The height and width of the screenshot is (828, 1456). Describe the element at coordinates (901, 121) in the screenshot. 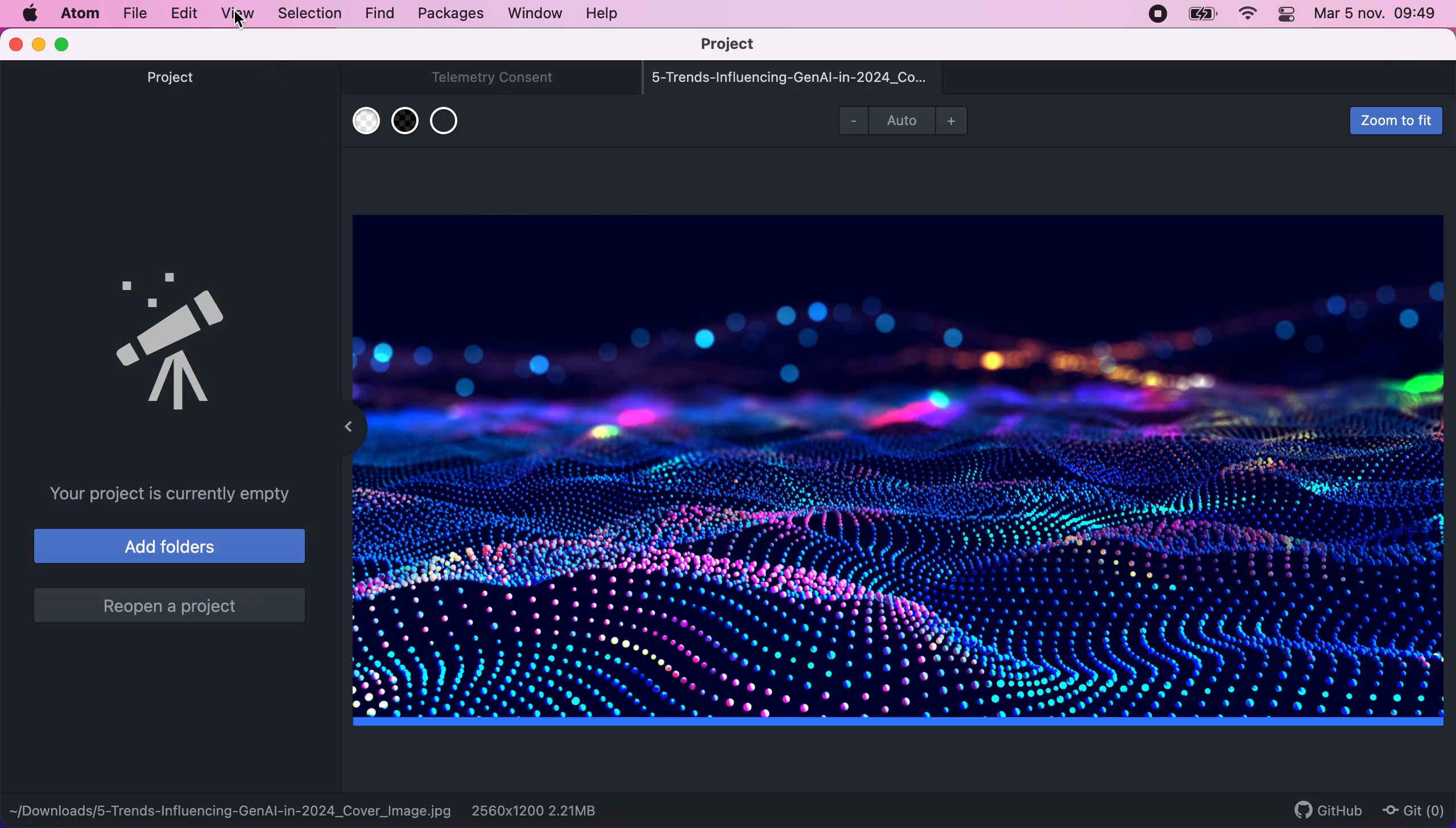

I see `auto` at that location.